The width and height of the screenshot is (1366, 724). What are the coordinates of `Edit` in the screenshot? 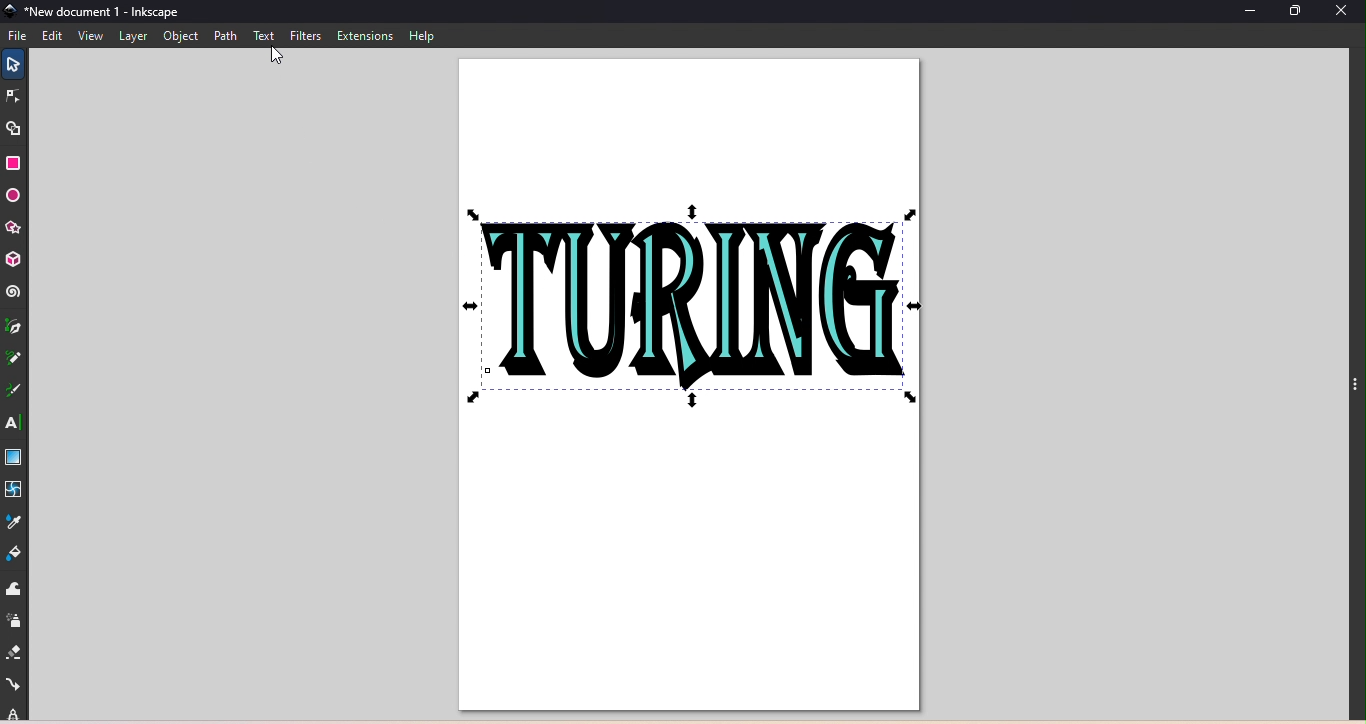 It's located at (52, 36).